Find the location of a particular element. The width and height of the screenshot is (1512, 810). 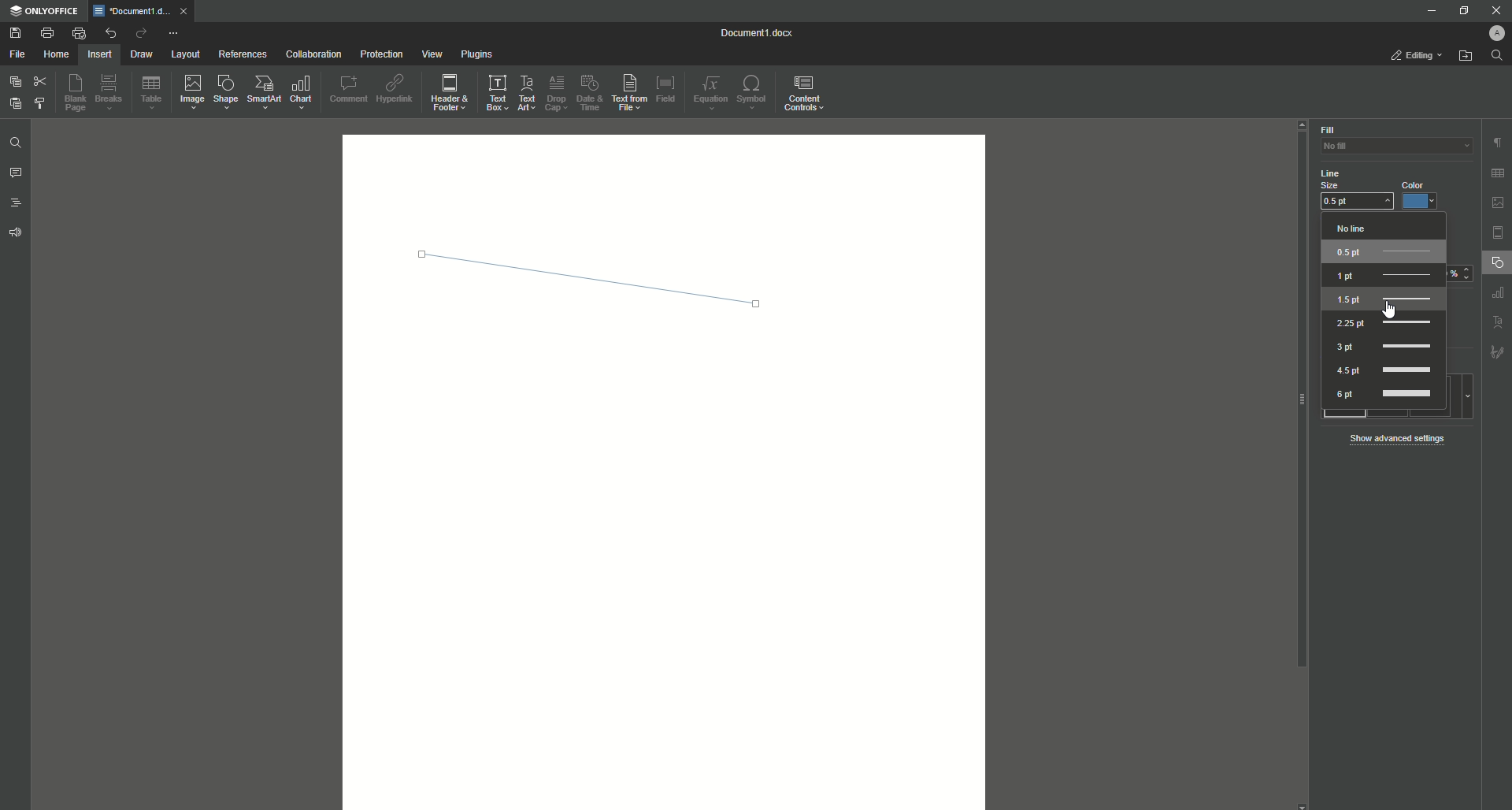

Shape is located at coordinates (228, 95).